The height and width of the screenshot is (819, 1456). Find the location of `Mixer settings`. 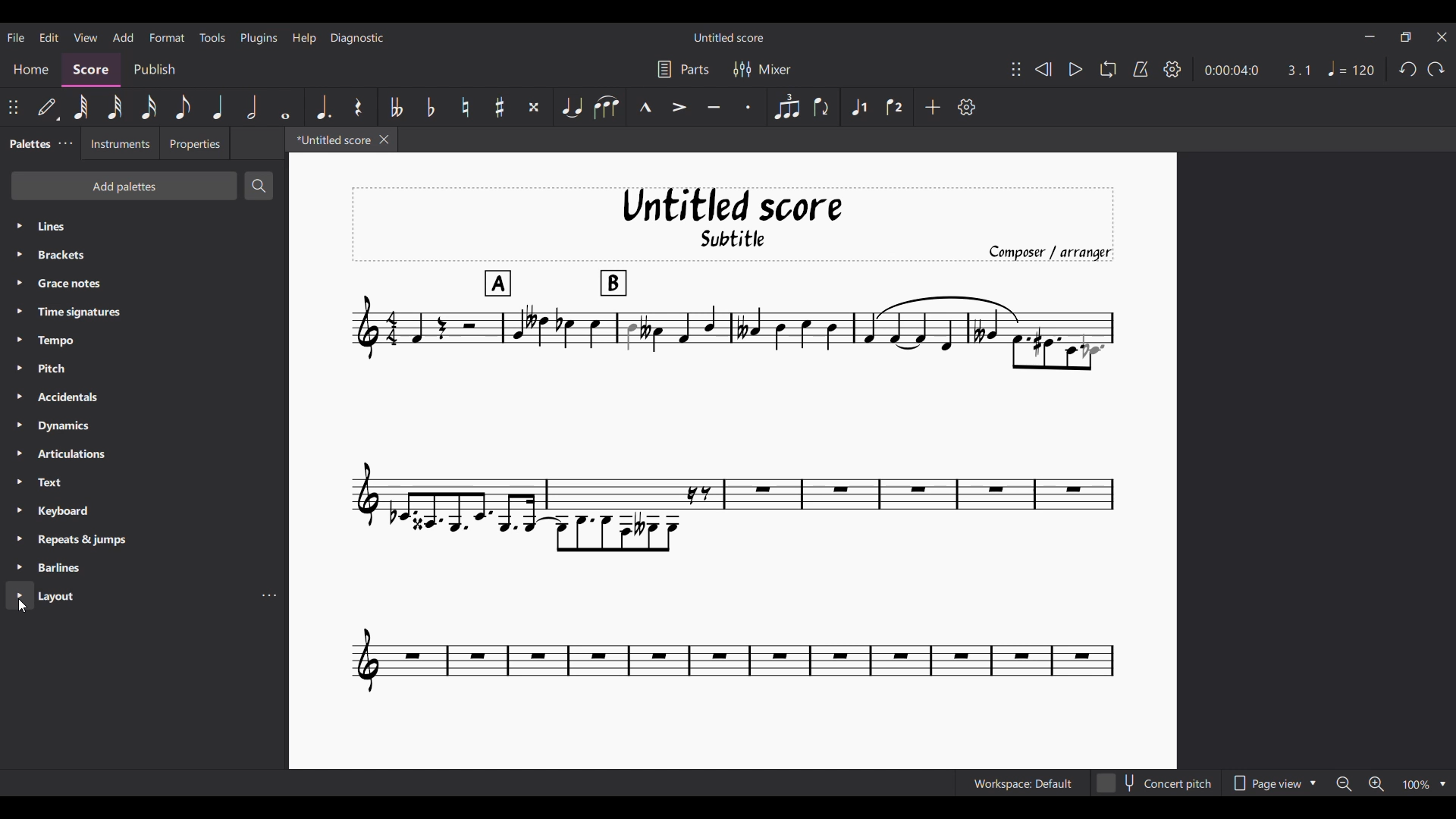

Mixer settings is located at coordinates (762, 70).